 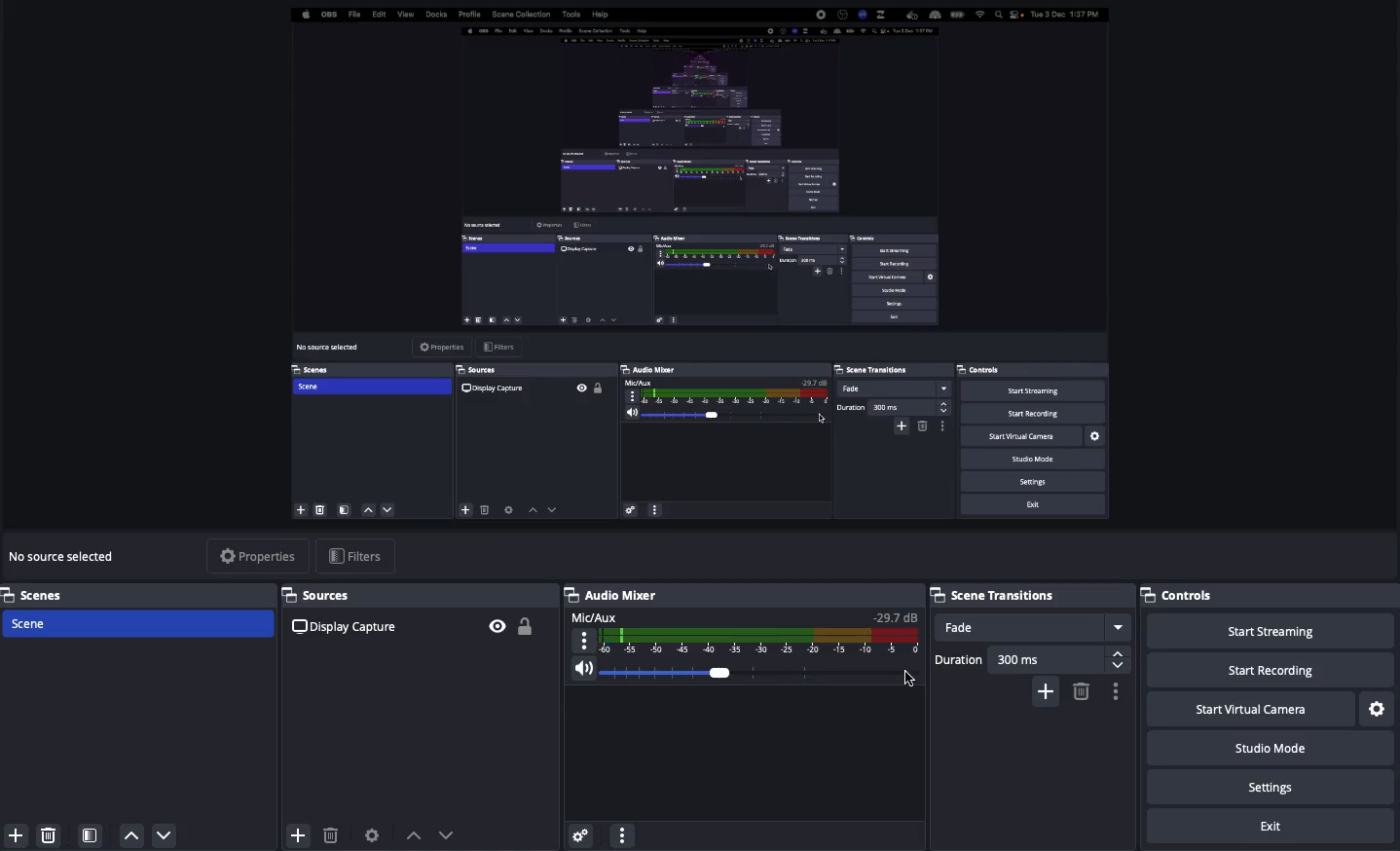 I want to click on Scenes, so click(x=138, y=594).